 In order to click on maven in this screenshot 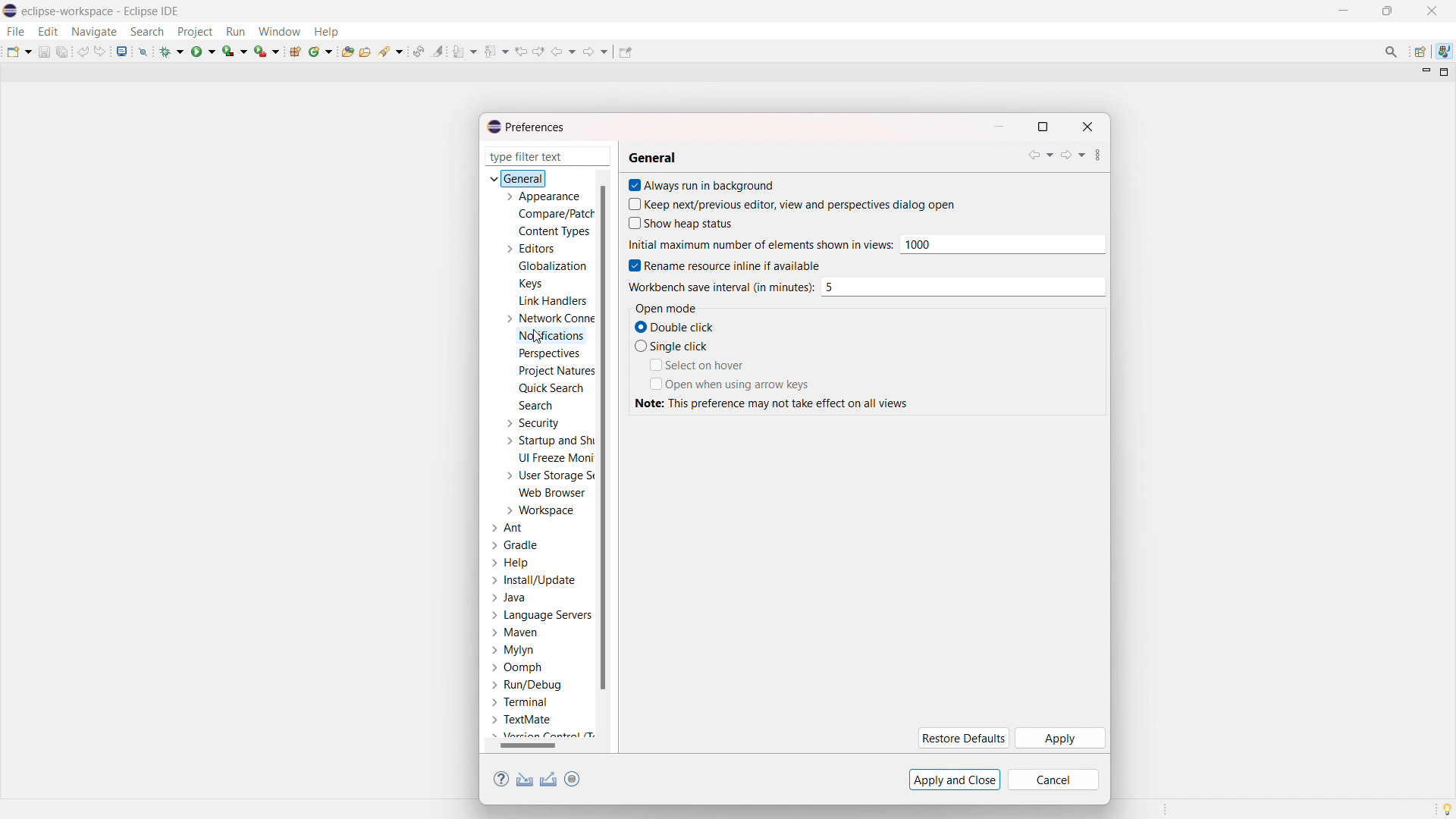, I will do `click(514, 633)`.